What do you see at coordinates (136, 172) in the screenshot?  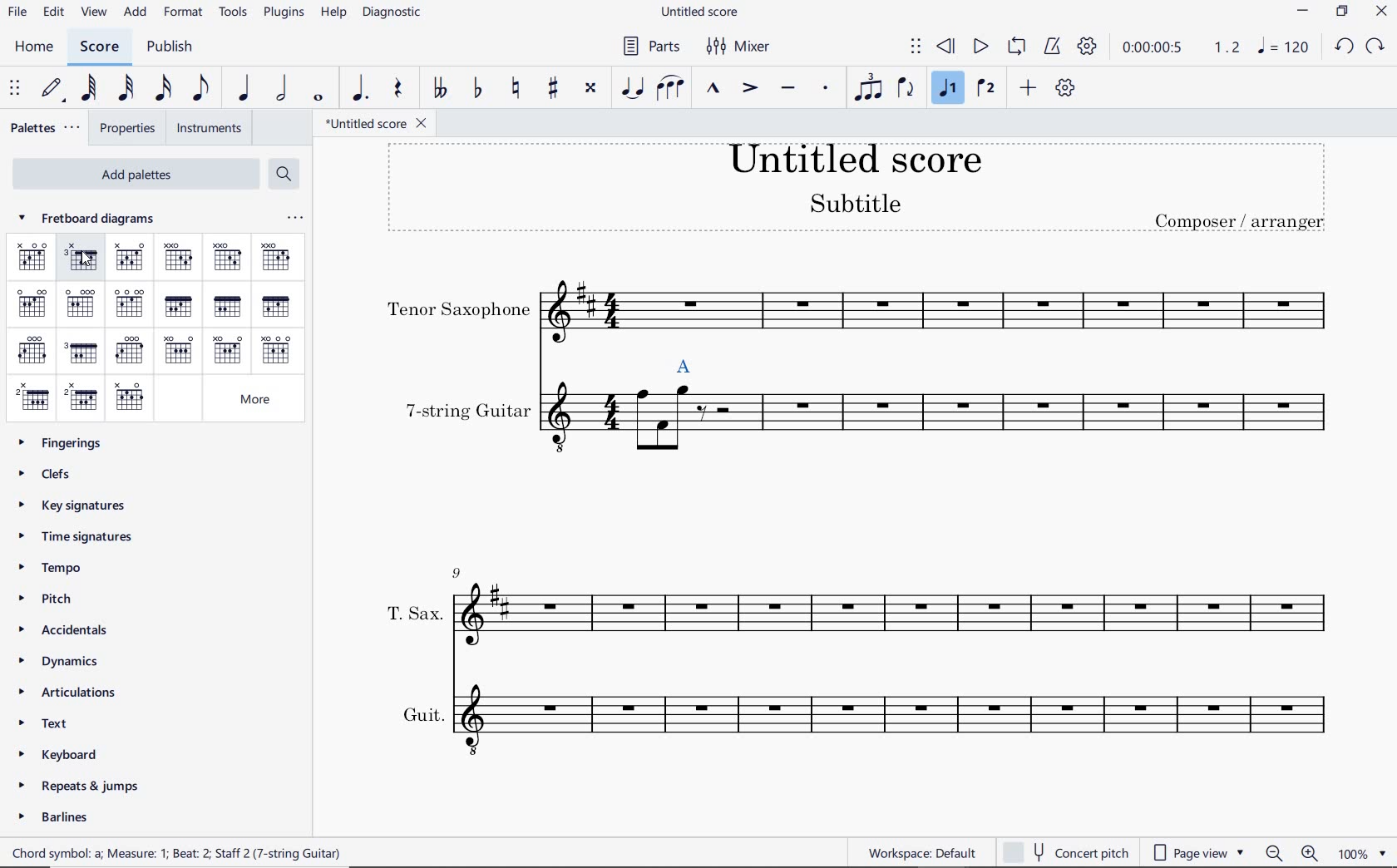 I see `ADD PALETTES` at bounding box center [136, 172].